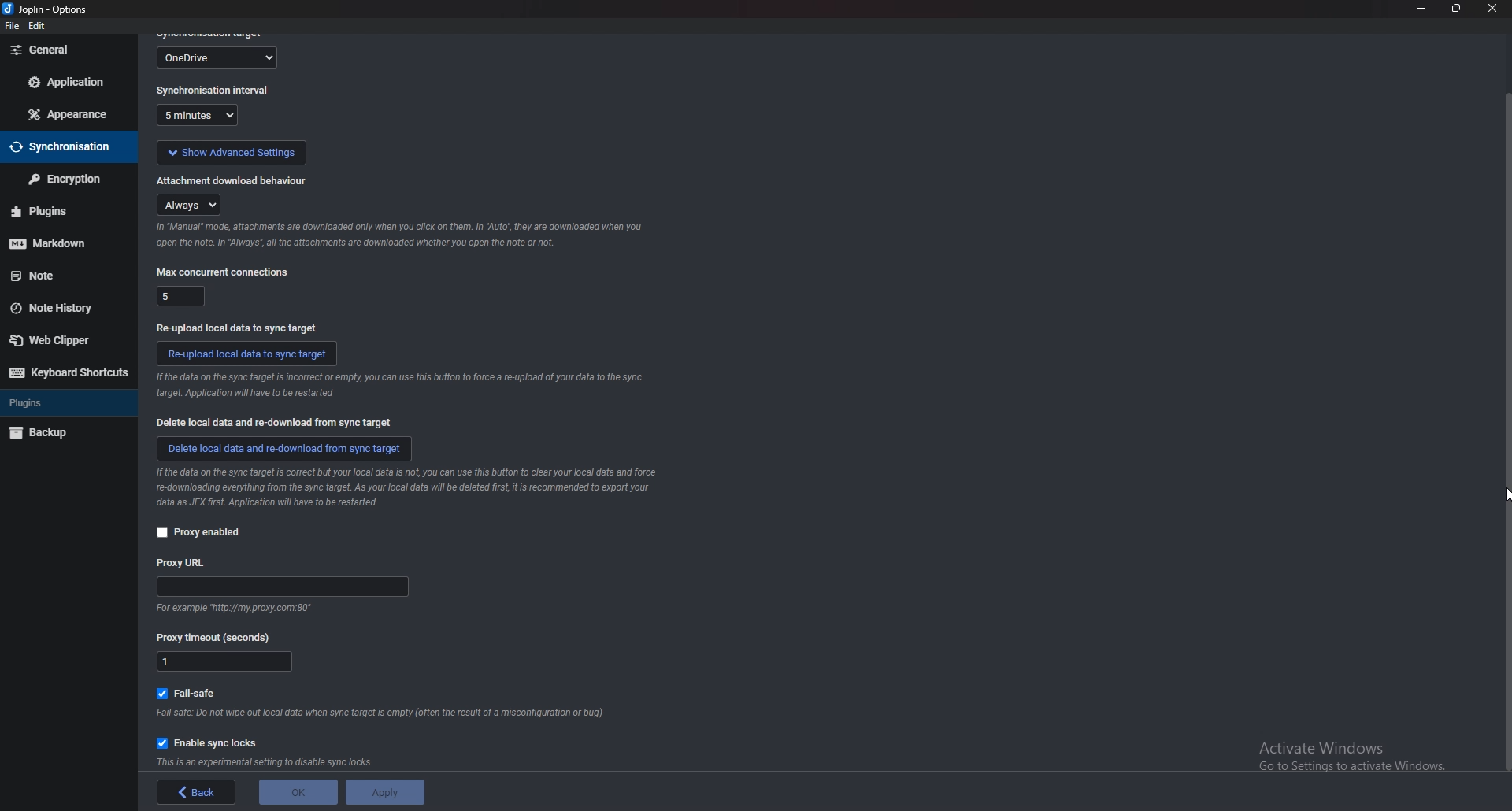 The height and width of the screenshot is (811, 1512). What do you see at coordinates (220, 637) in the screenshot?
I see `proxy timeout` at bounding box center [220, 637].